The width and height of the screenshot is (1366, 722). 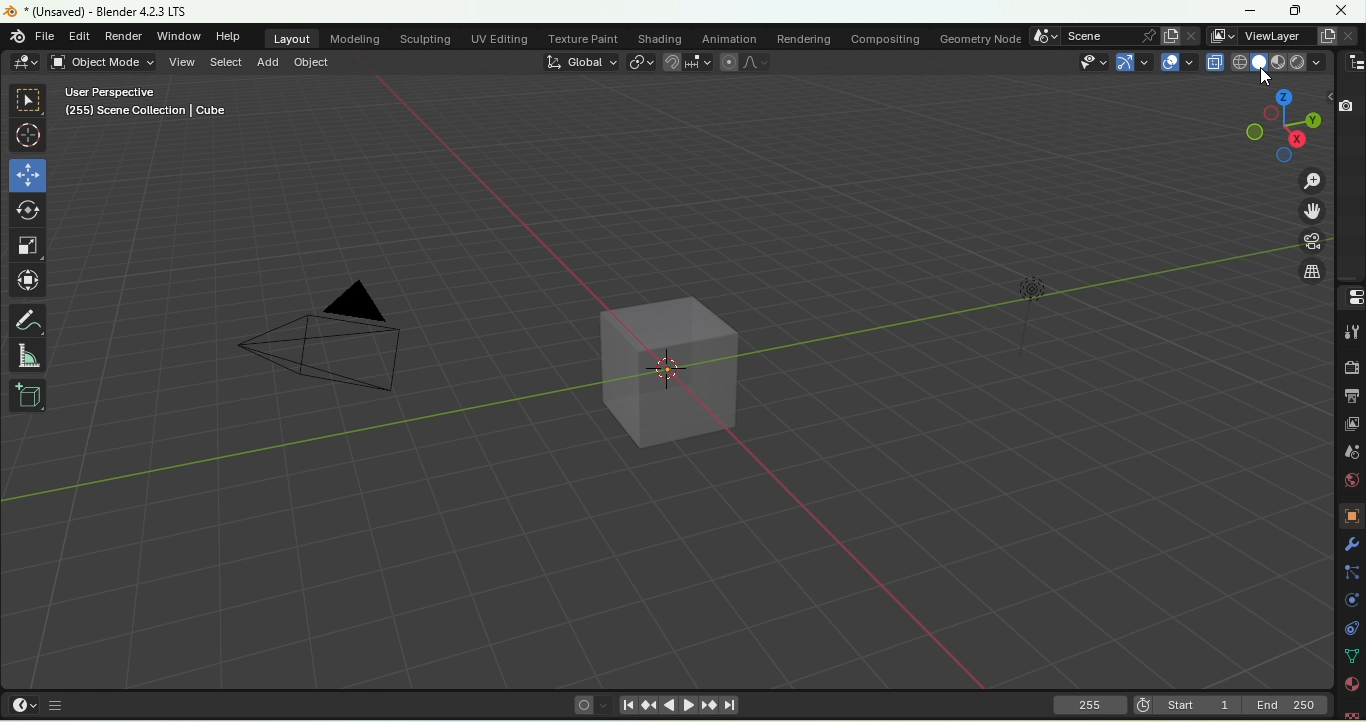 What do you see at coordinates (1351, 603) in the screenshot?
I see `Physics` at bounding box center [1351, 603].